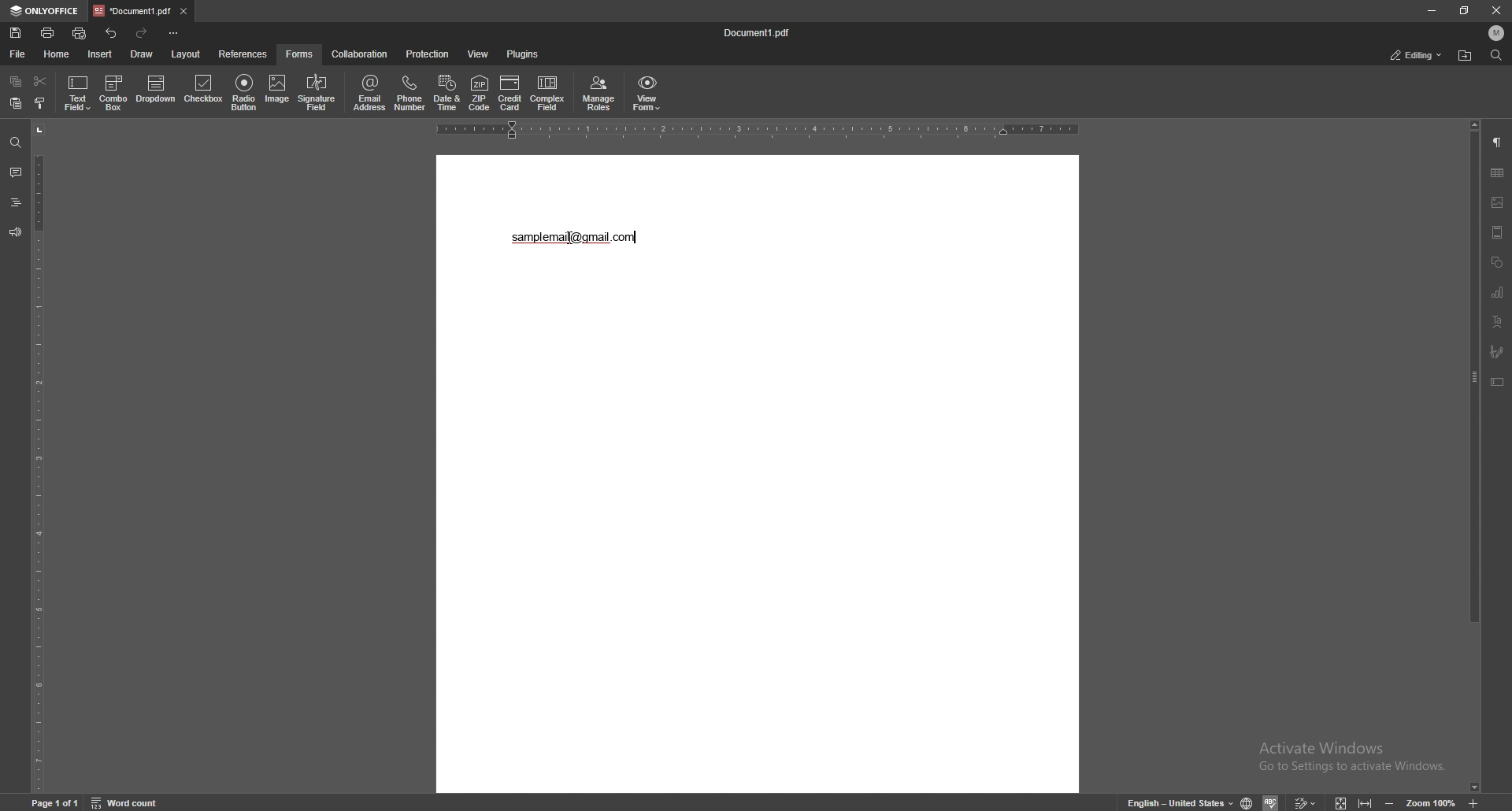  What do you see at coordinates (1497, 173) in the screenshot?
I see `table` at bounding box center [1497, 173].